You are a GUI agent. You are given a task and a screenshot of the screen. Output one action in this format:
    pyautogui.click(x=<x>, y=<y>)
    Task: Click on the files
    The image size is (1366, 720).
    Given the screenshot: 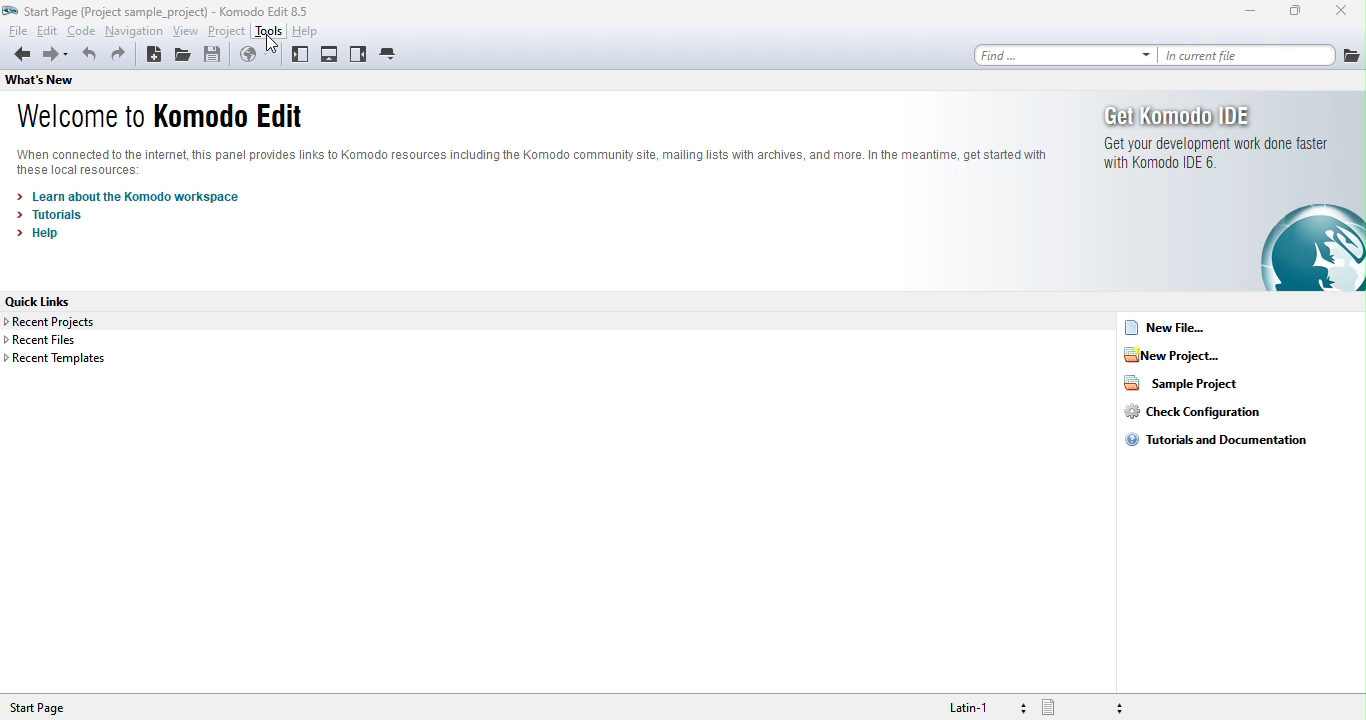 What is the action you would take?
    pyautogui.click(x=1350, y=53)
    